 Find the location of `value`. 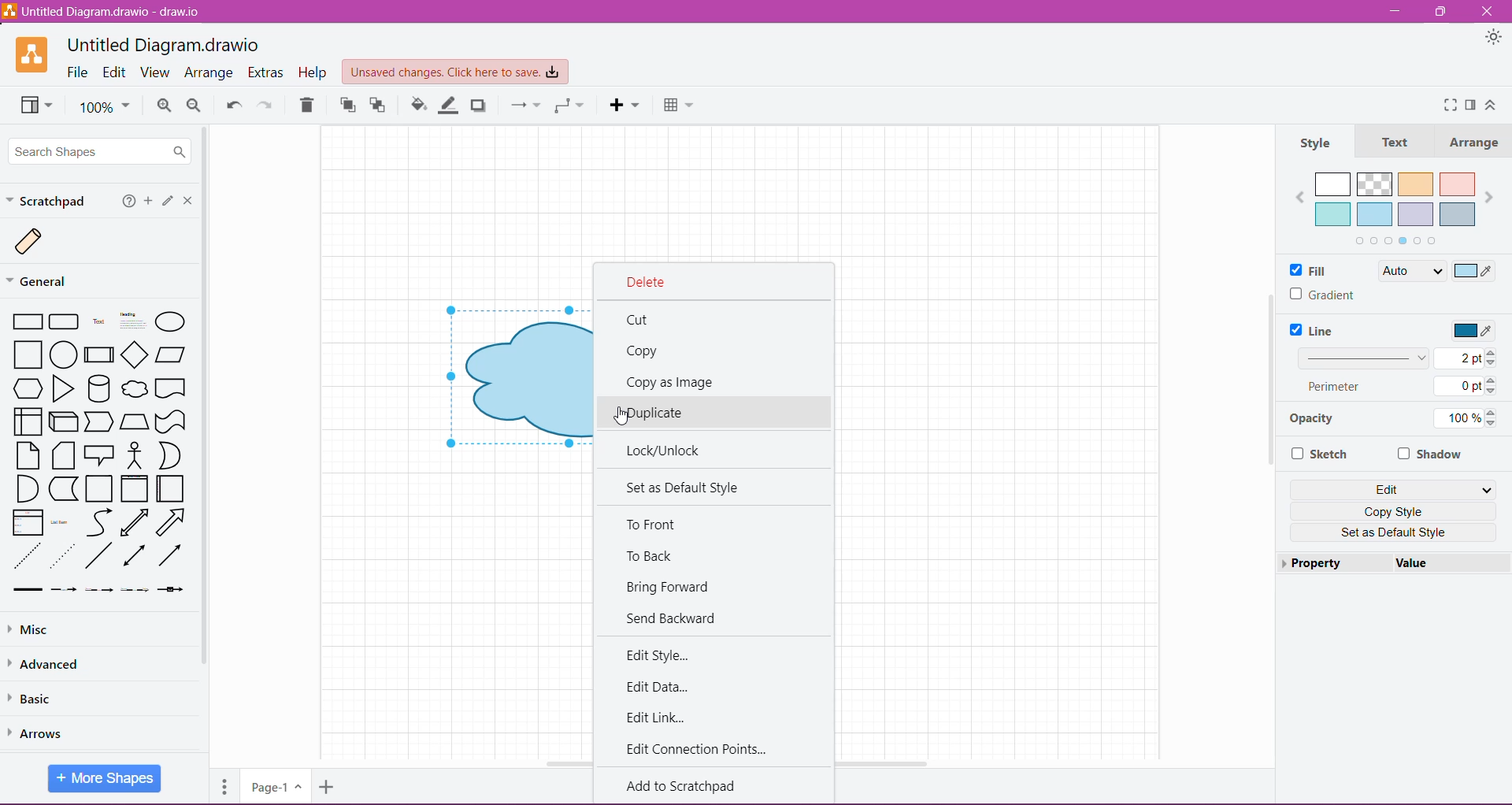

value is located at coordinates (1448, 562).